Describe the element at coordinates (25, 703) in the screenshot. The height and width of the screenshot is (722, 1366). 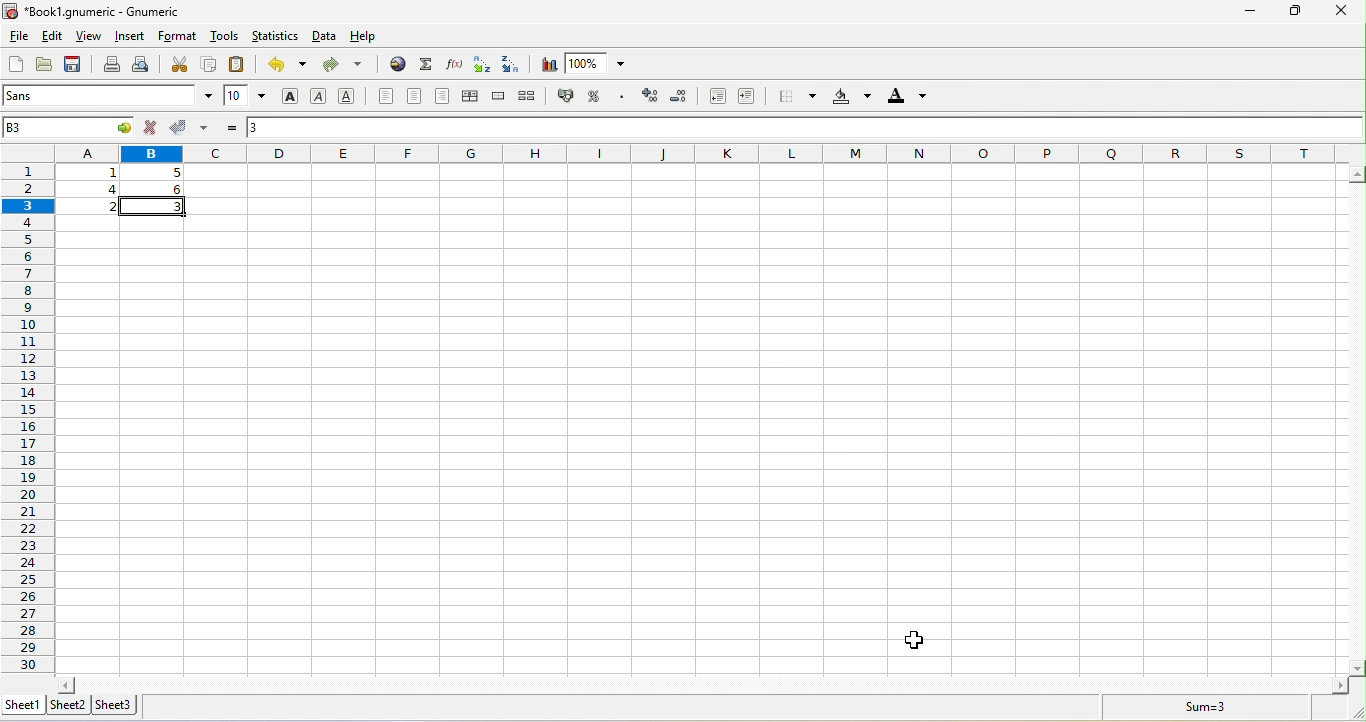
I see `sheet 1` at that location.